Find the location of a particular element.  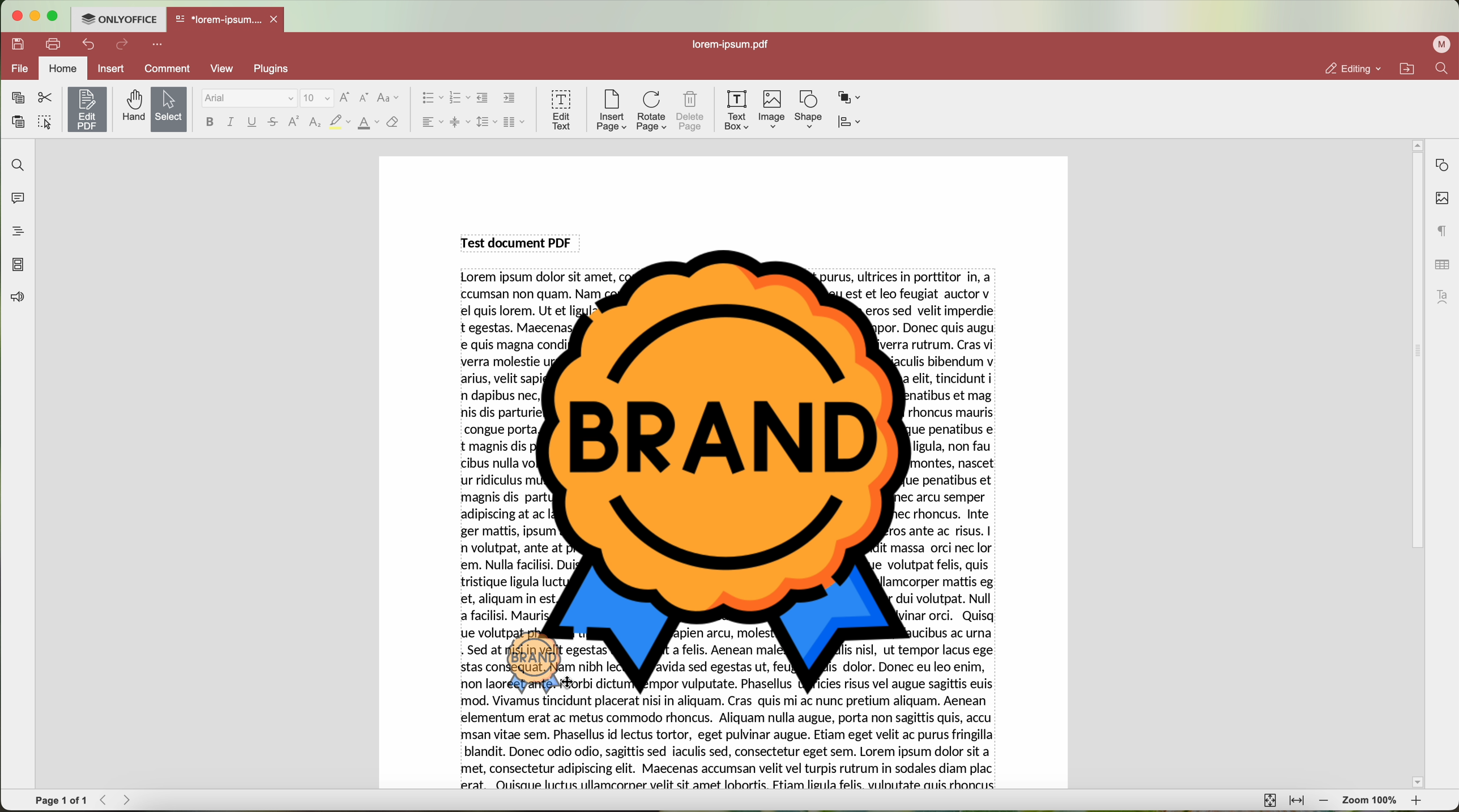

insert is located at coordinates (110, 68).